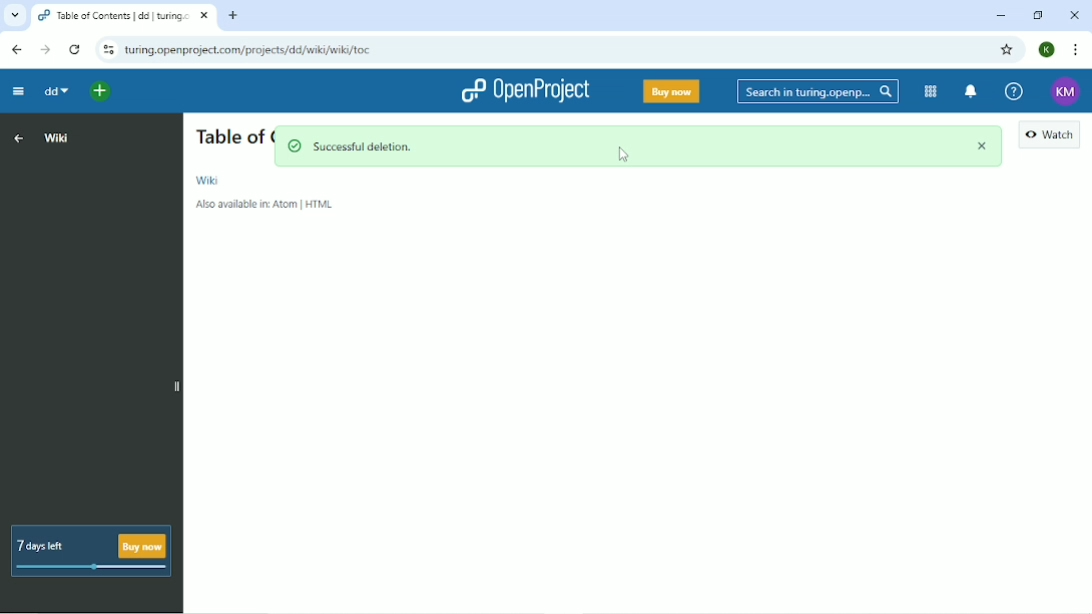  What do you see at coordinates (1065, 91) in the screenshot?
I see `Account` at bounding box center [1065, 91].